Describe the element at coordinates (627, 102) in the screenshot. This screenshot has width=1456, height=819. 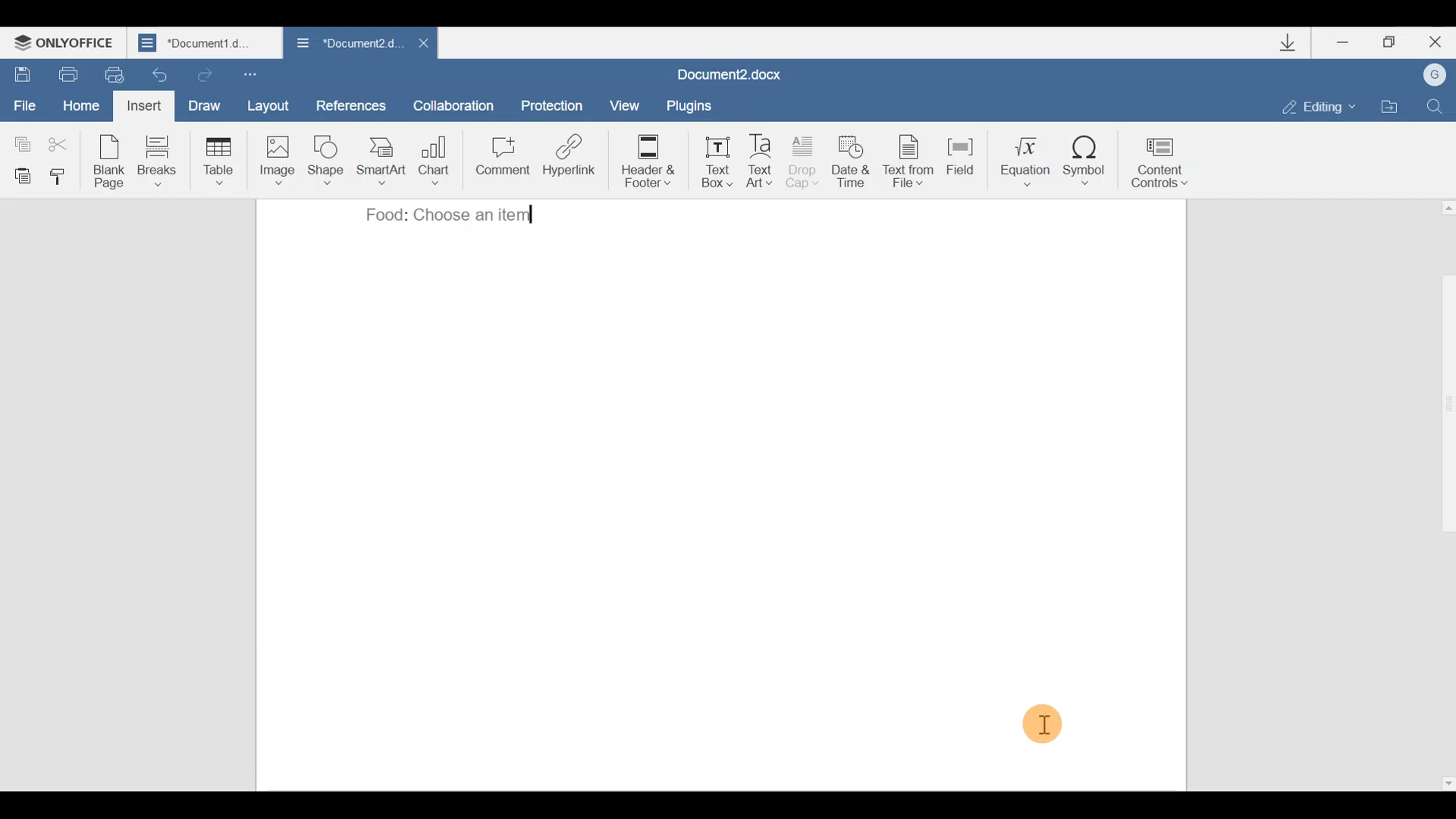
I see `View` at that location.